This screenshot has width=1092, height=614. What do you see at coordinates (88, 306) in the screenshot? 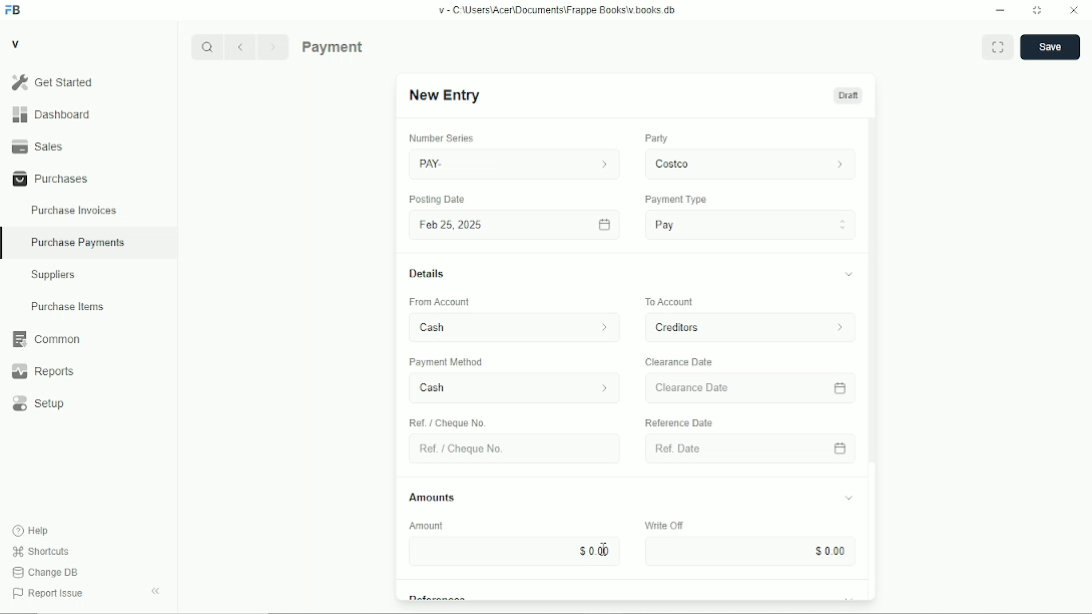
I see `Purchase Items` at bounding box center [88, 306].